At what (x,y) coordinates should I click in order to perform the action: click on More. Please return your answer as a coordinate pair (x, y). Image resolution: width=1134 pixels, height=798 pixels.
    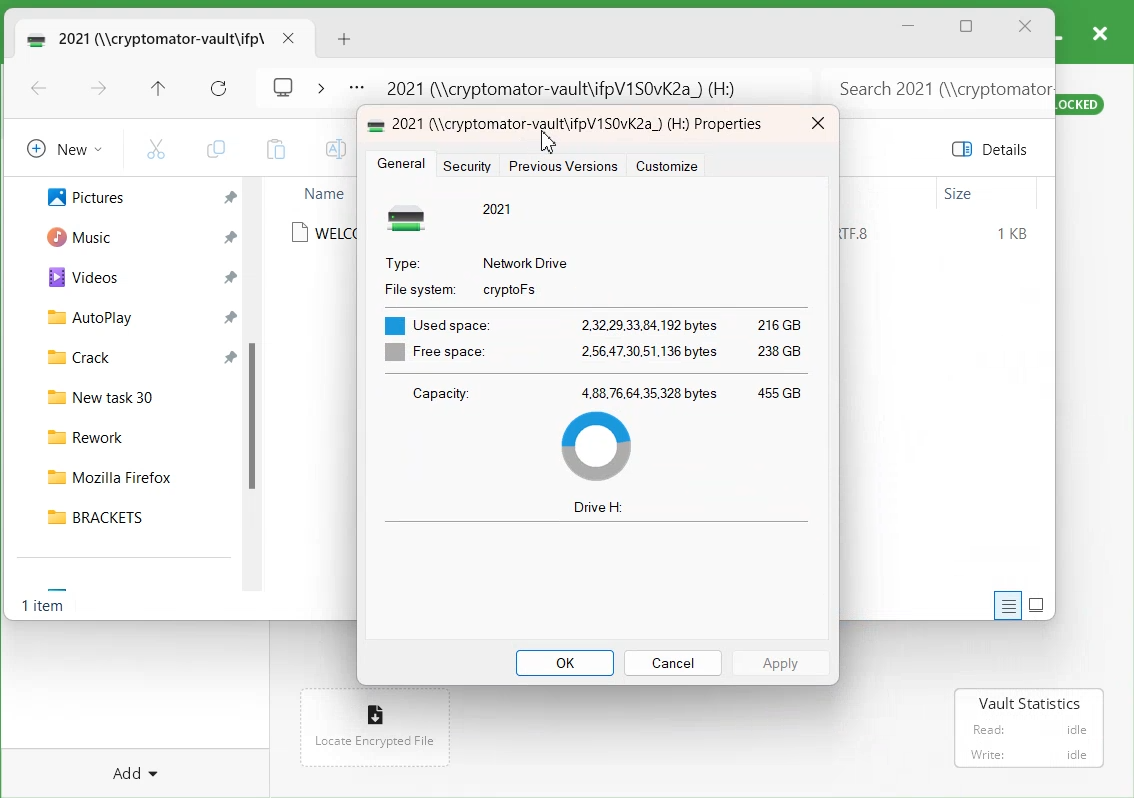
    Looking at the image, I should click on (356, 89).